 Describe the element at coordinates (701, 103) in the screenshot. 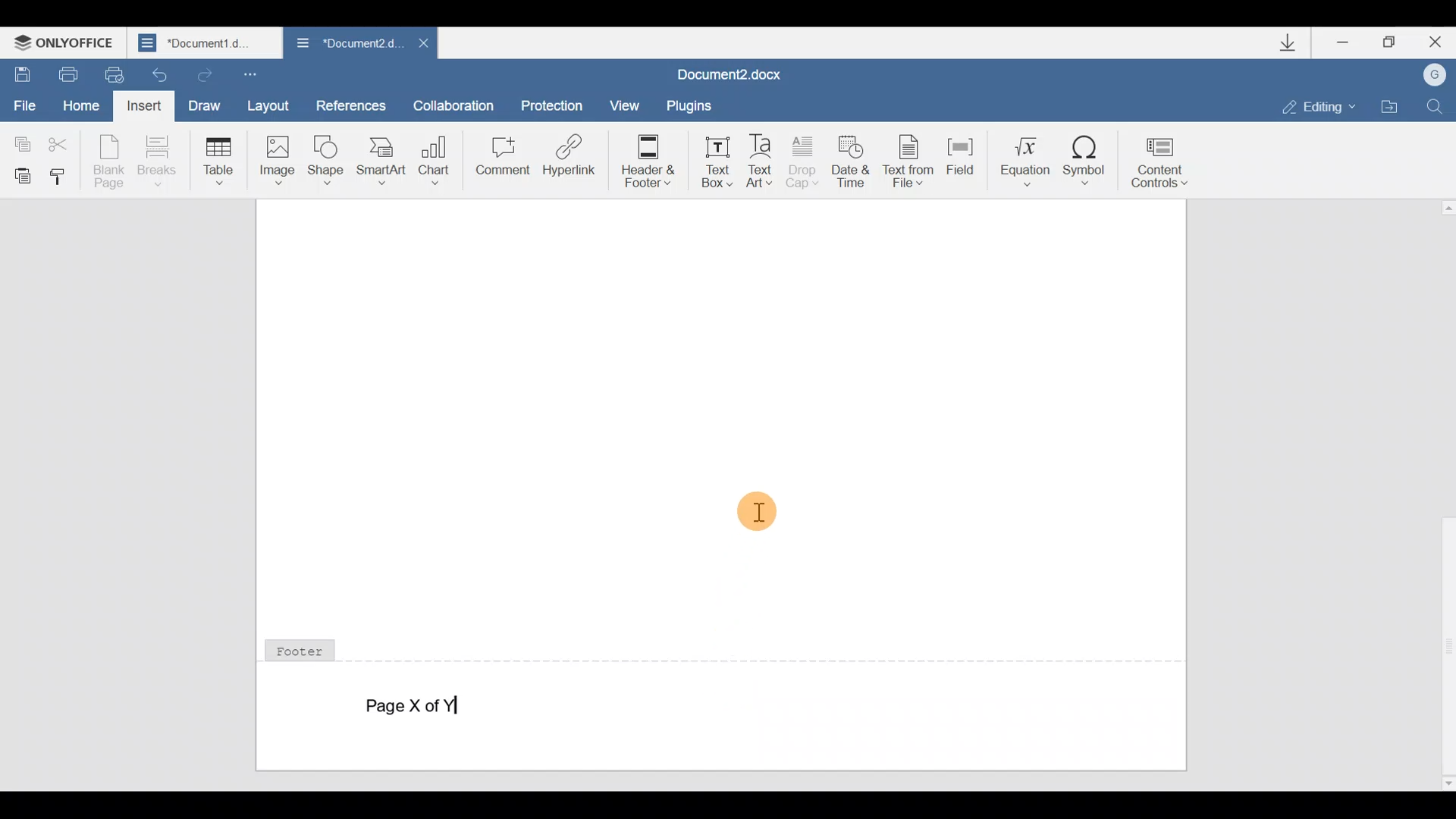

I see `Plugins` at that location.